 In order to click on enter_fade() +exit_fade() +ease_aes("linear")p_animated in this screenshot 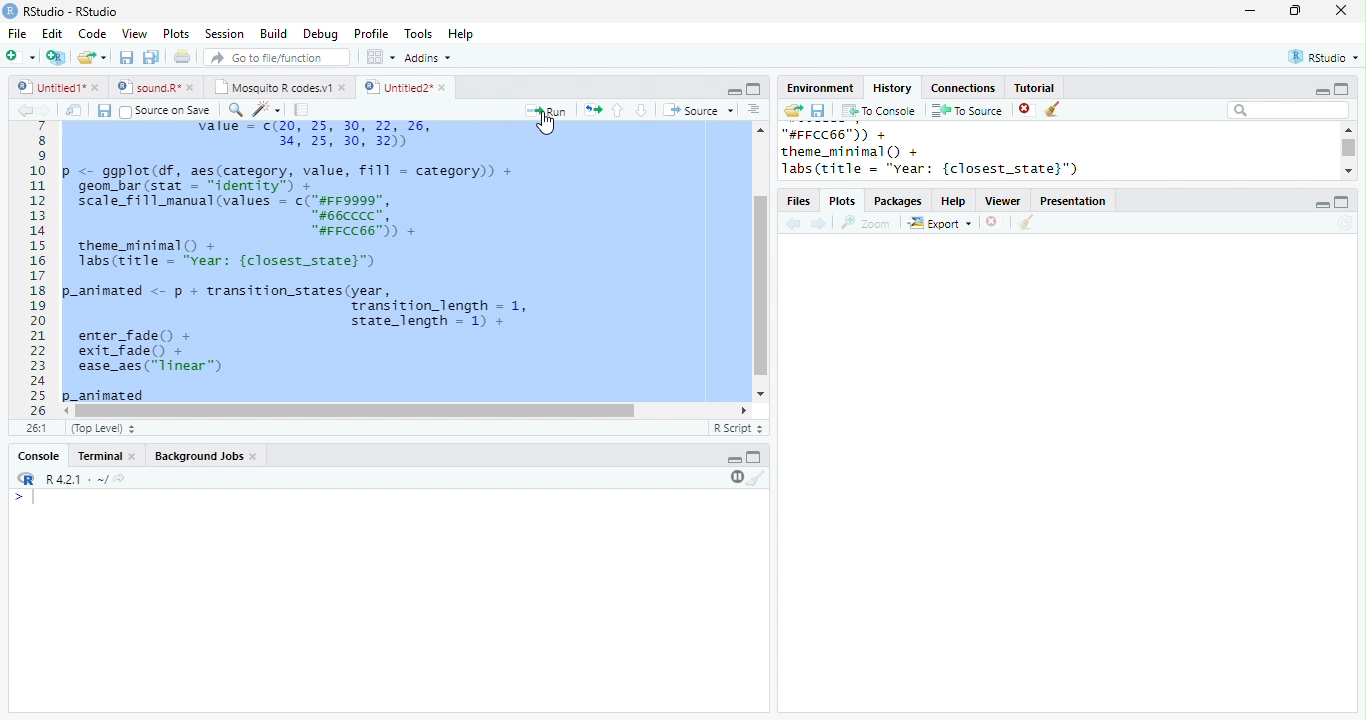, I will do `click(151, 366)`.